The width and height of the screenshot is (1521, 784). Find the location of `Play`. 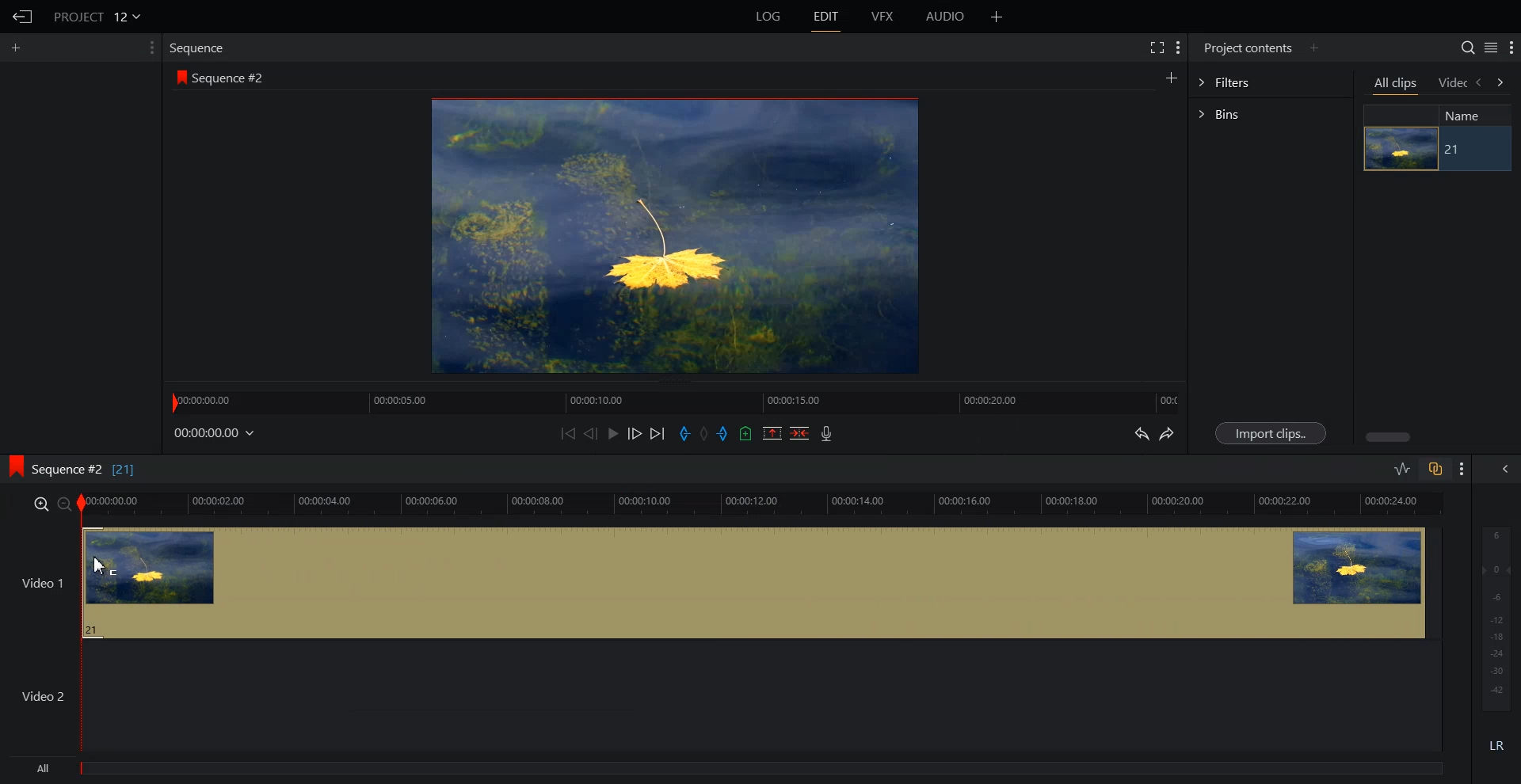

Play is located at coordinates (613, 432).